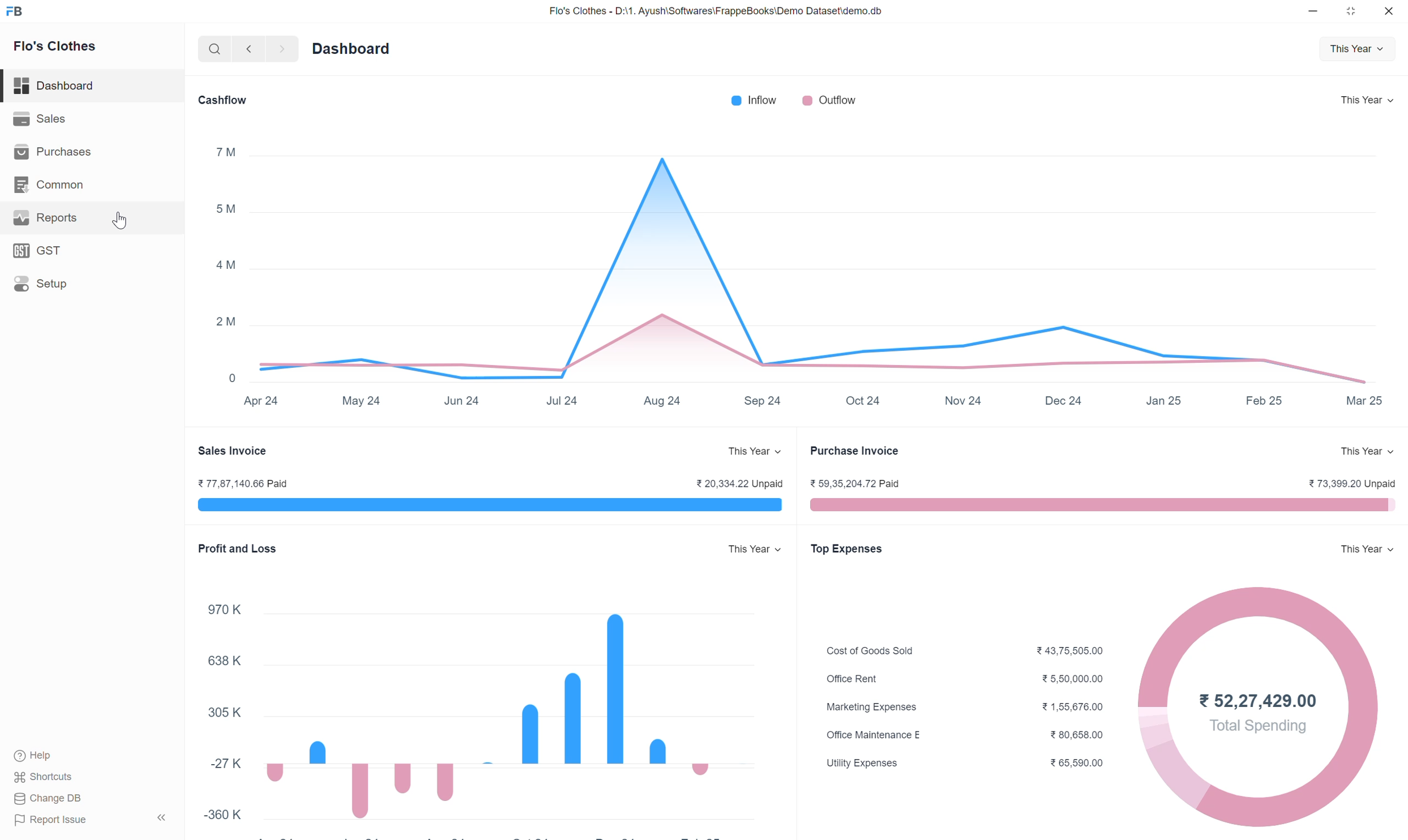 The image size is (1408, 840). I want to click on Pie chart, so click(1267, 708).